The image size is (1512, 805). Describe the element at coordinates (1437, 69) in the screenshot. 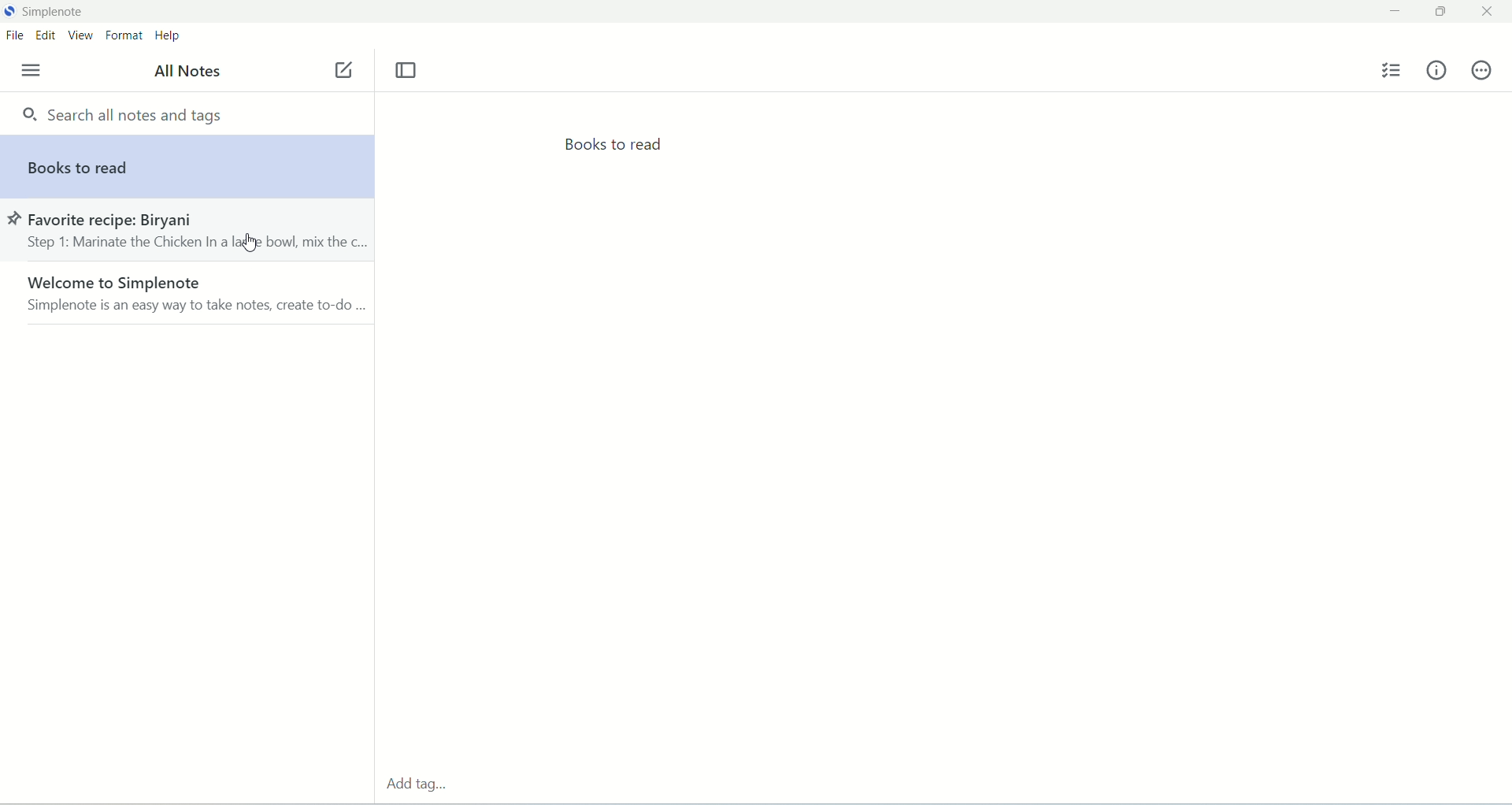

I see `info` at that location.